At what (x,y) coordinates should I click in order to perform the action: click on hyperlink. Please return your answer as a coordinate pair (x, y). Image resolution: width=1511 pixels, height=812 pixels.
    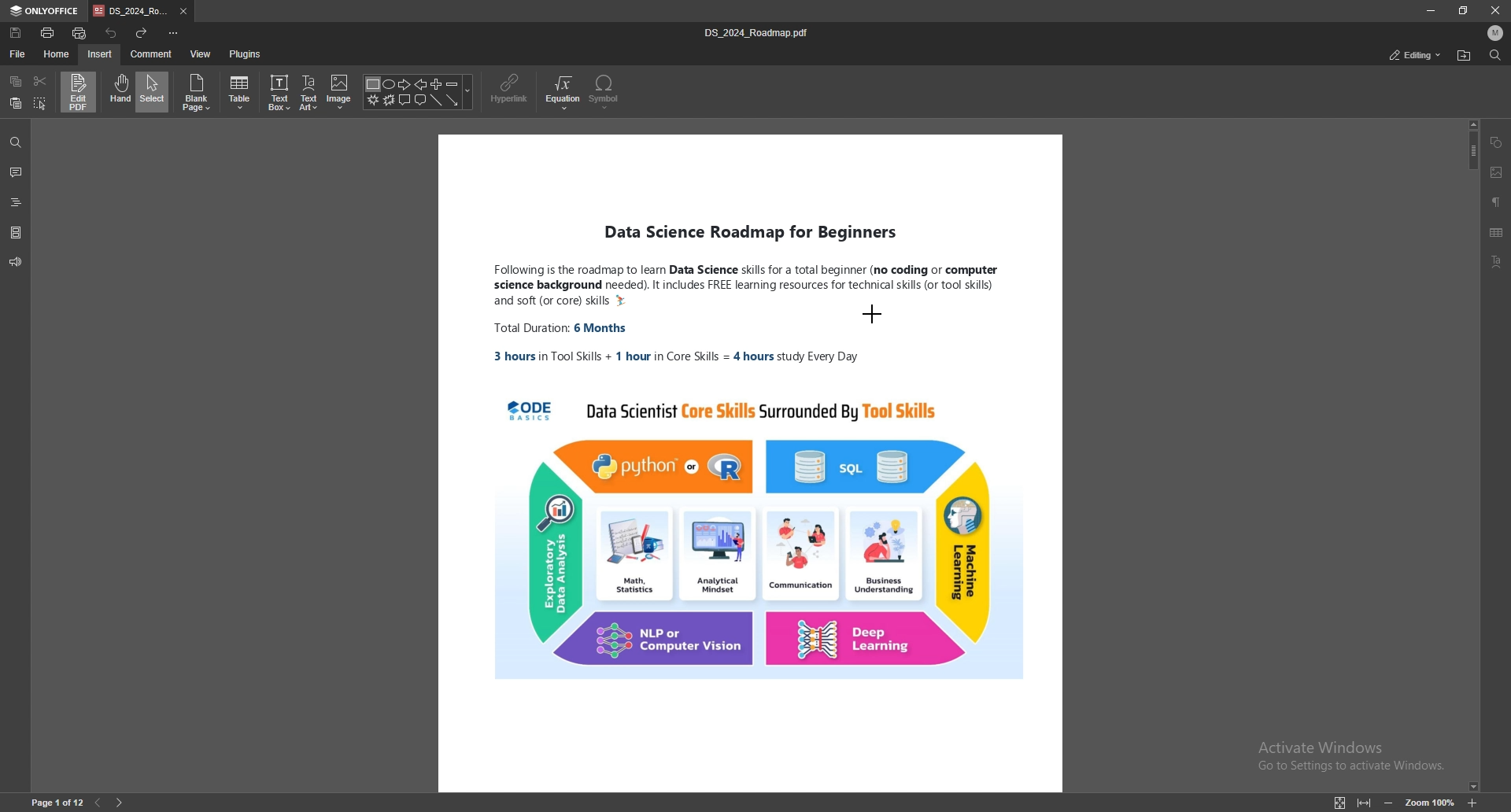
    Looking at the image, I should click on (512, 90).